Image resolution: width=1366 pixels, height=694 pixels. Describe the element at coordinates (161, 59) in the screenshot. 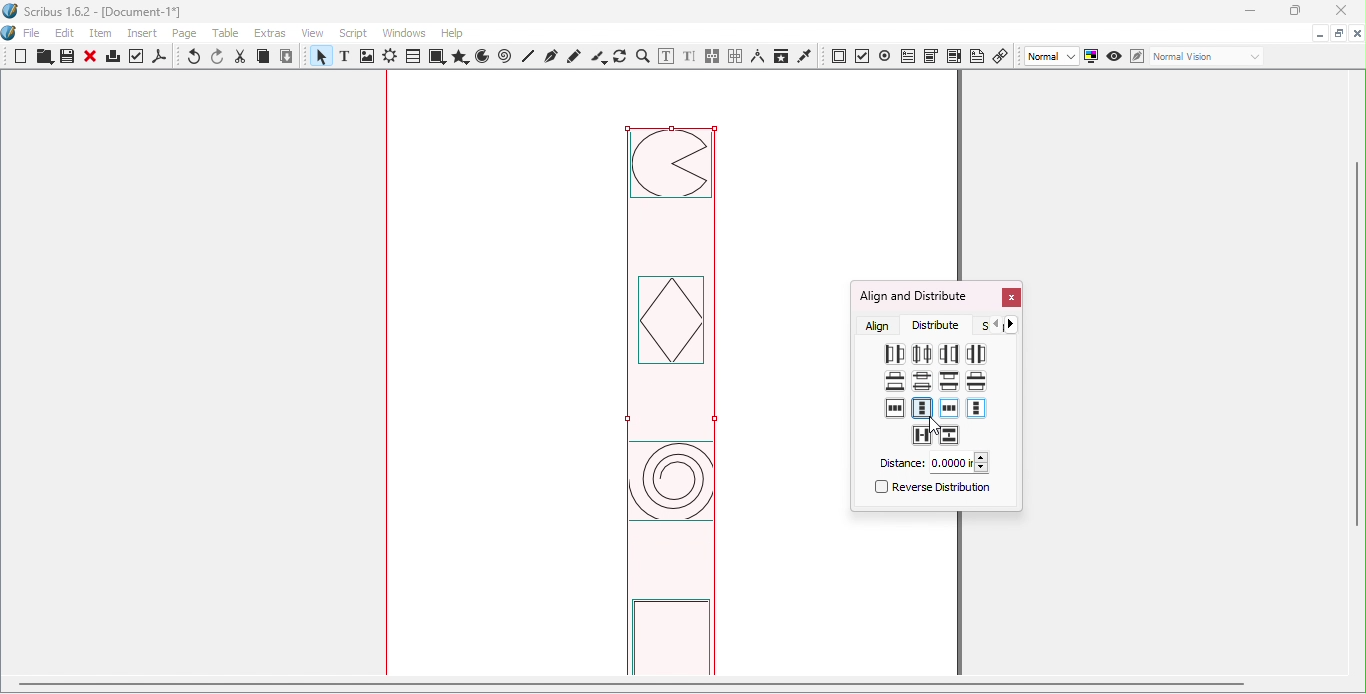

I see `save as PDF` at that location.